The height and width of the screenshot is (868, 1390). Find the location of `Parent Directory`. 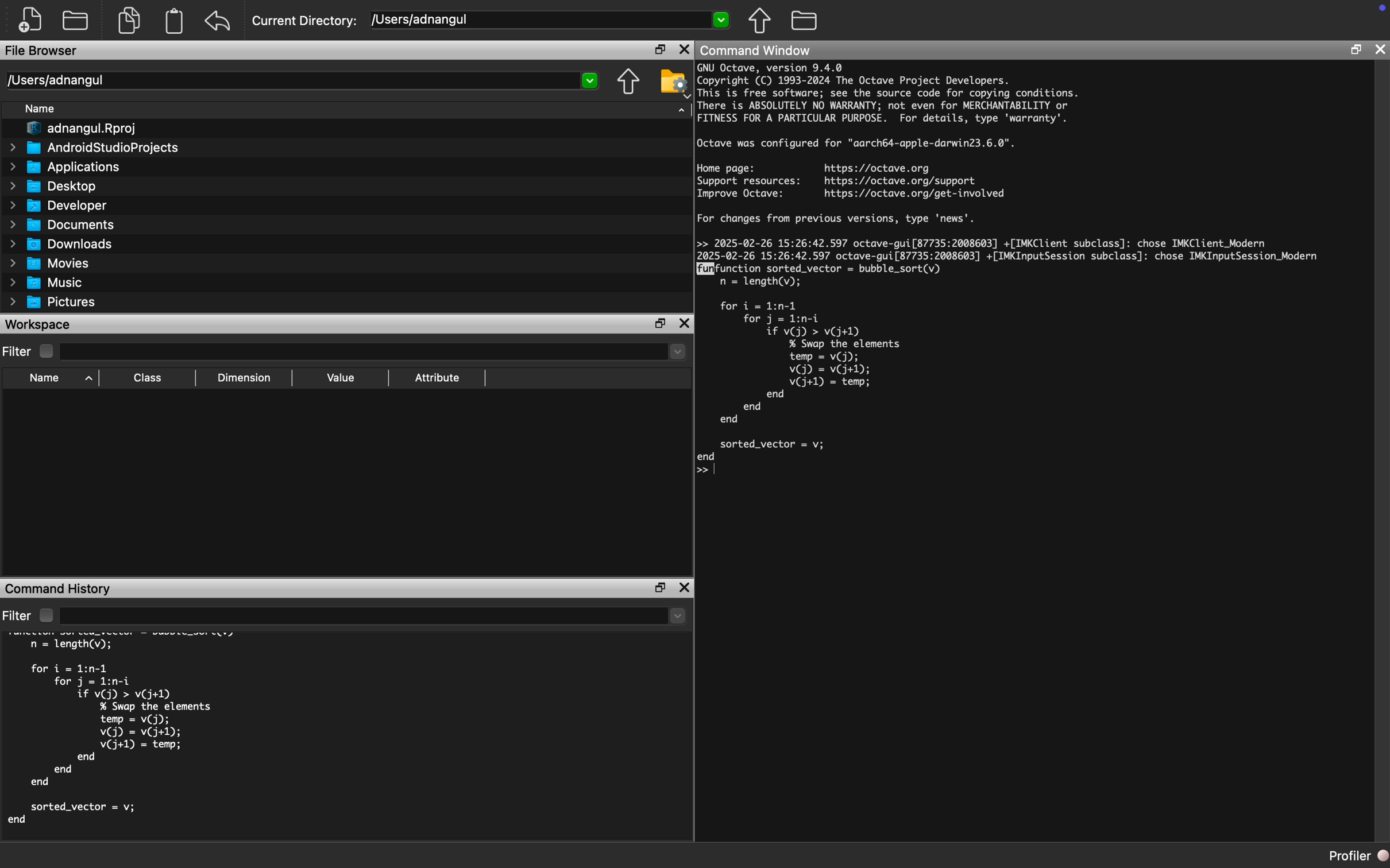

Parent Directory is located at coordinates (629, 83).